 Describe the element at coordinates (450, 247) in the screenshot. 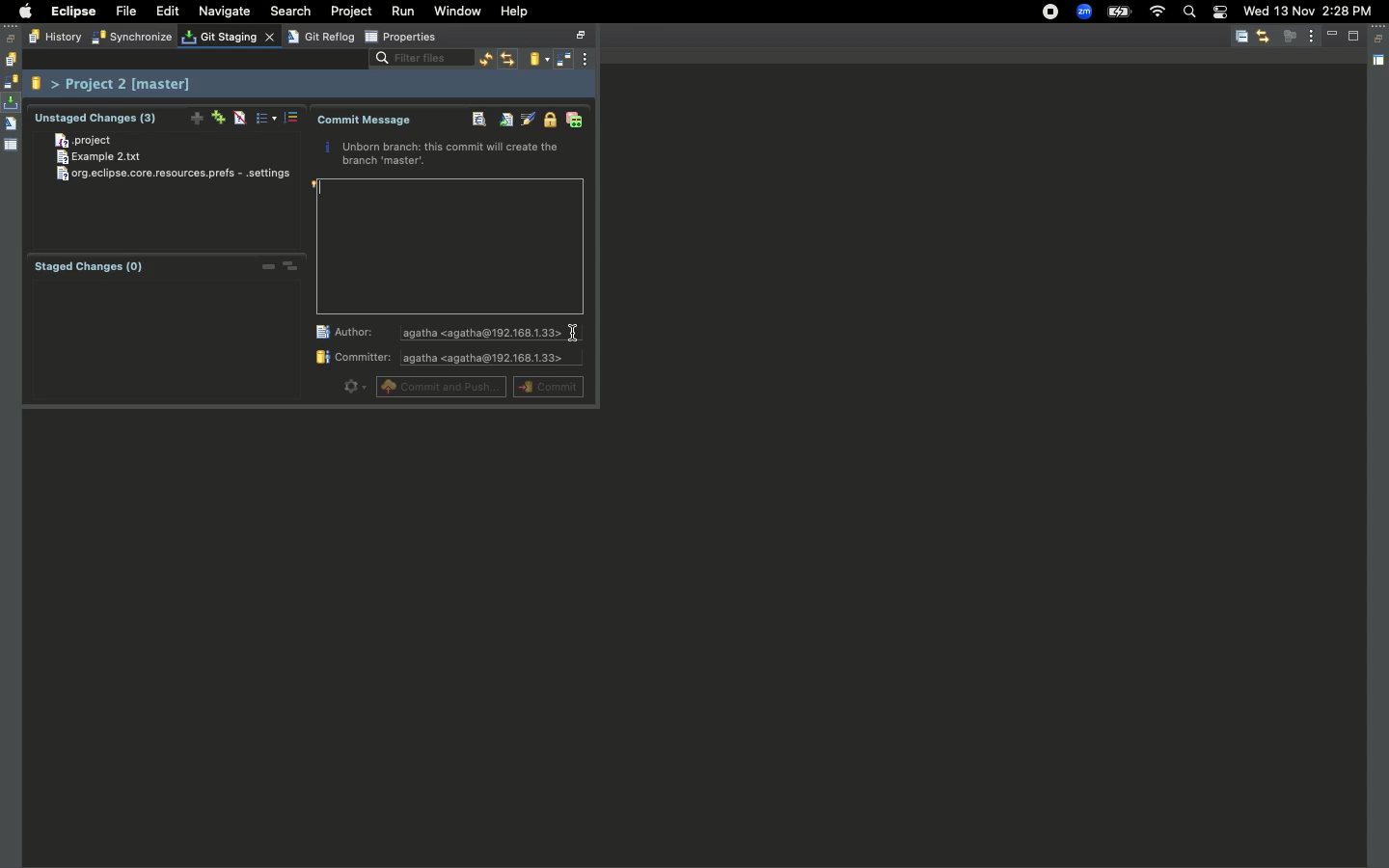

I see `Preview` at that location.